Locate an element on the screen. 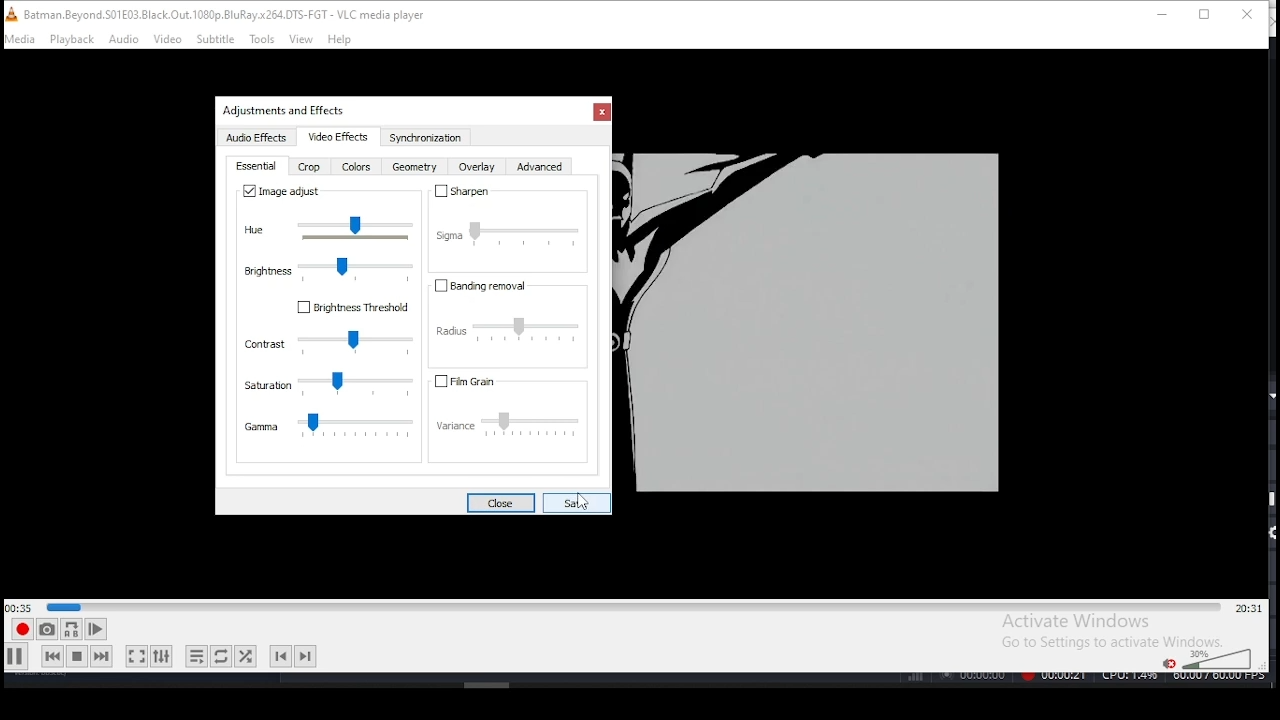  help is located at coordinates (339, 39).